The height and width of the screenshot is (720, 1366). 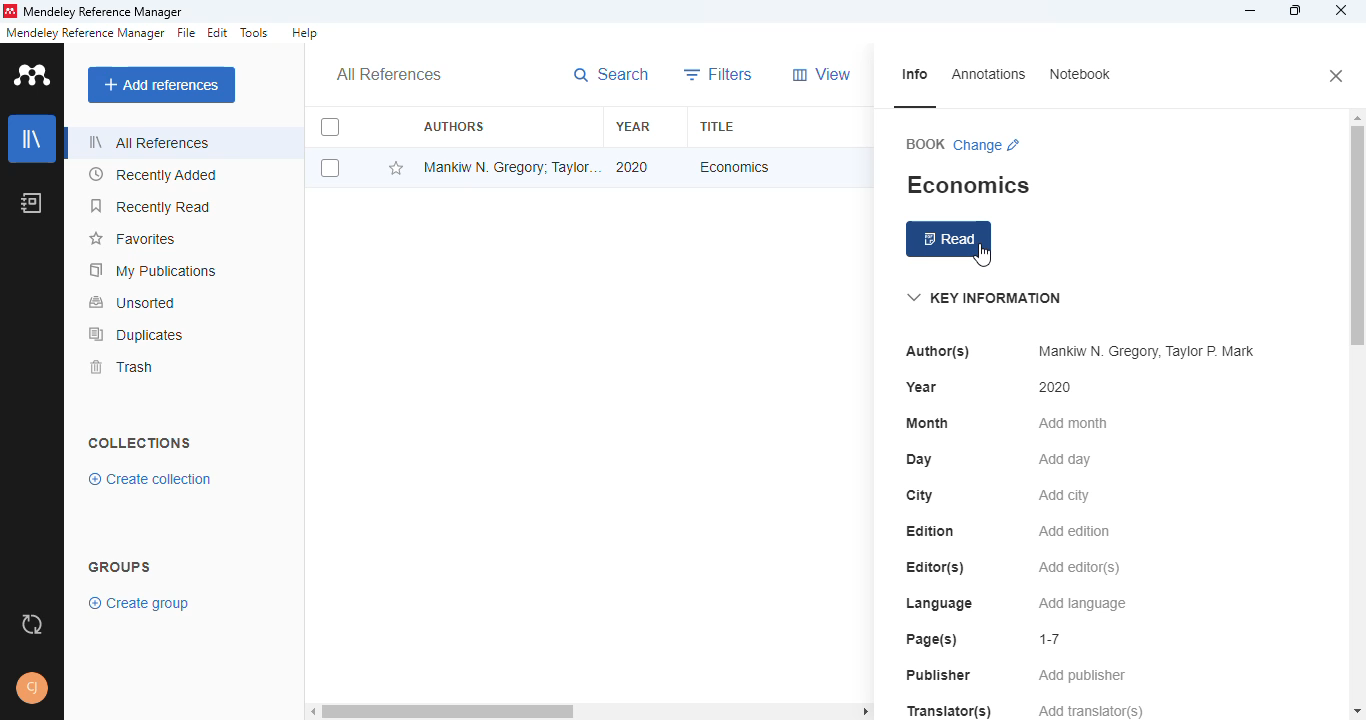 I want to click on city, so click(x=919, y=496).